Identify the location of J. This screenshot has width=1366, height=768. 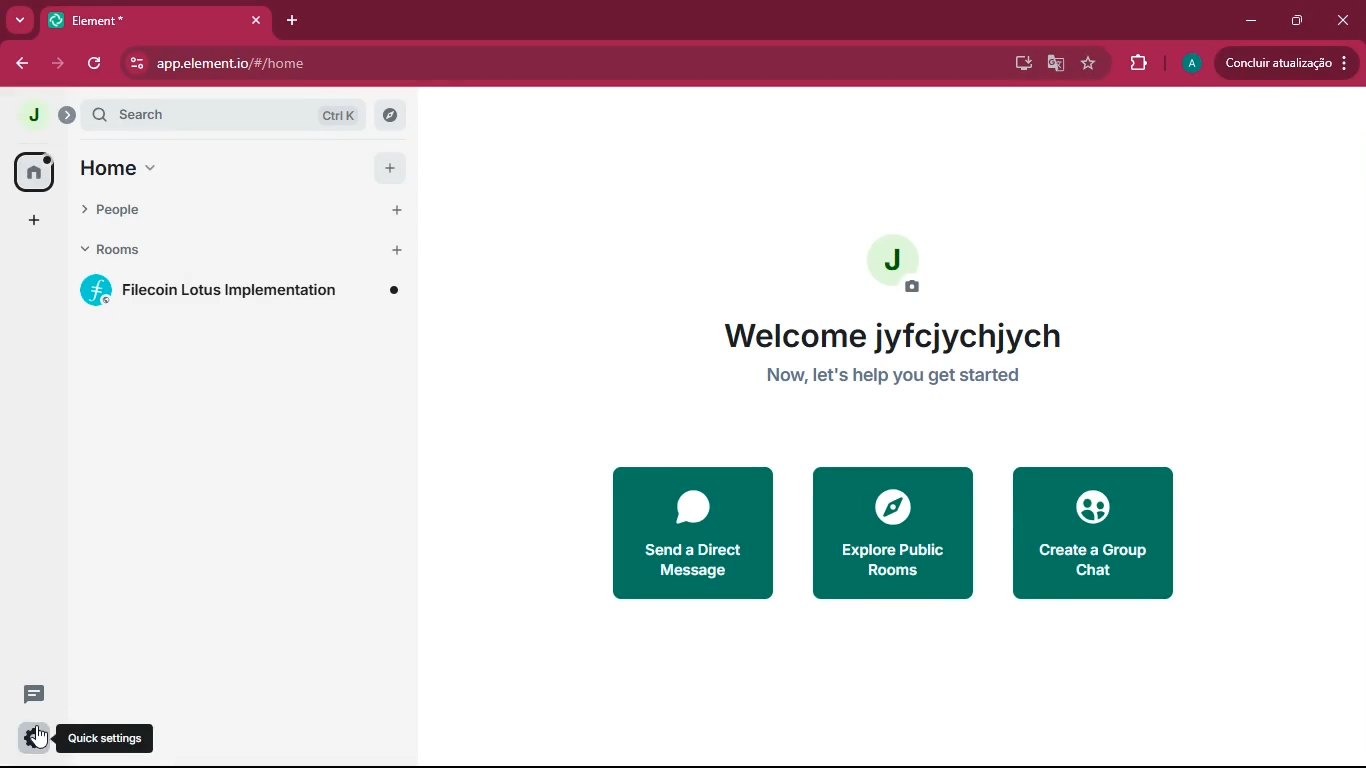
(43, 111).